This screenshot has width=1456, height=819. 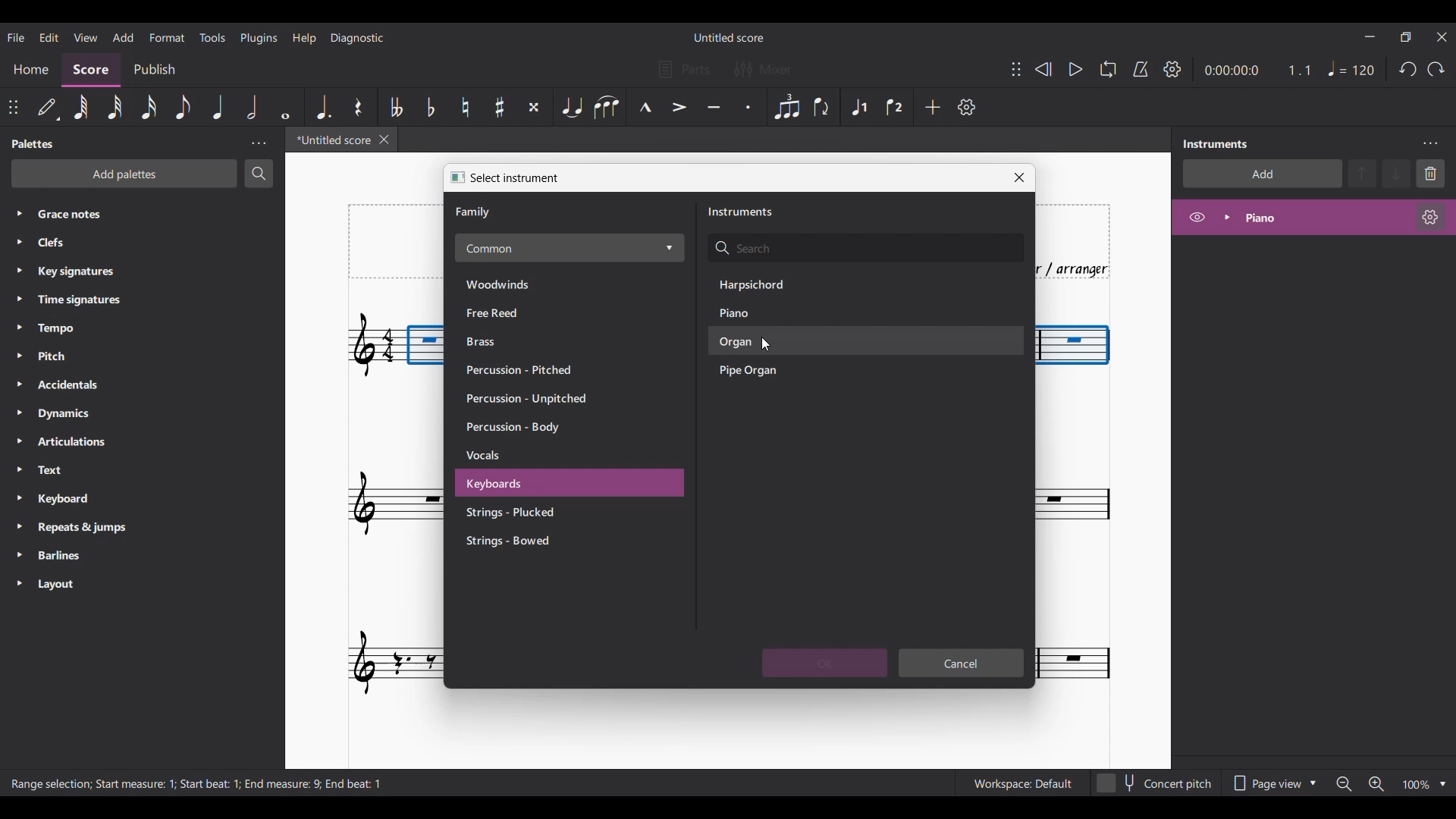 I want to click on Cancel saving, so click(x=962, y=663).